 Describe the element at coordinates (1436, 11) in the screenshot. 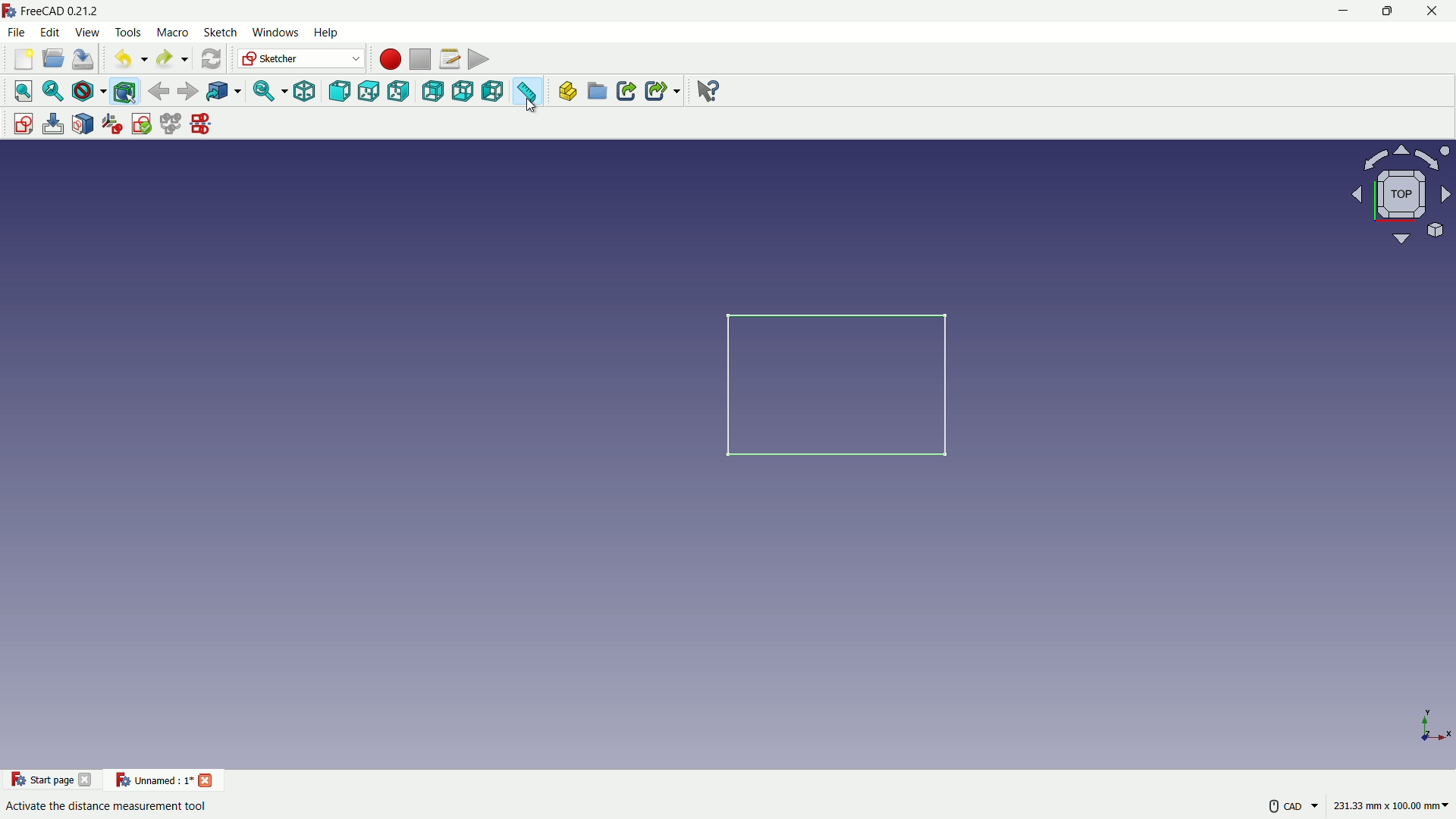

I see `close app` at that location.